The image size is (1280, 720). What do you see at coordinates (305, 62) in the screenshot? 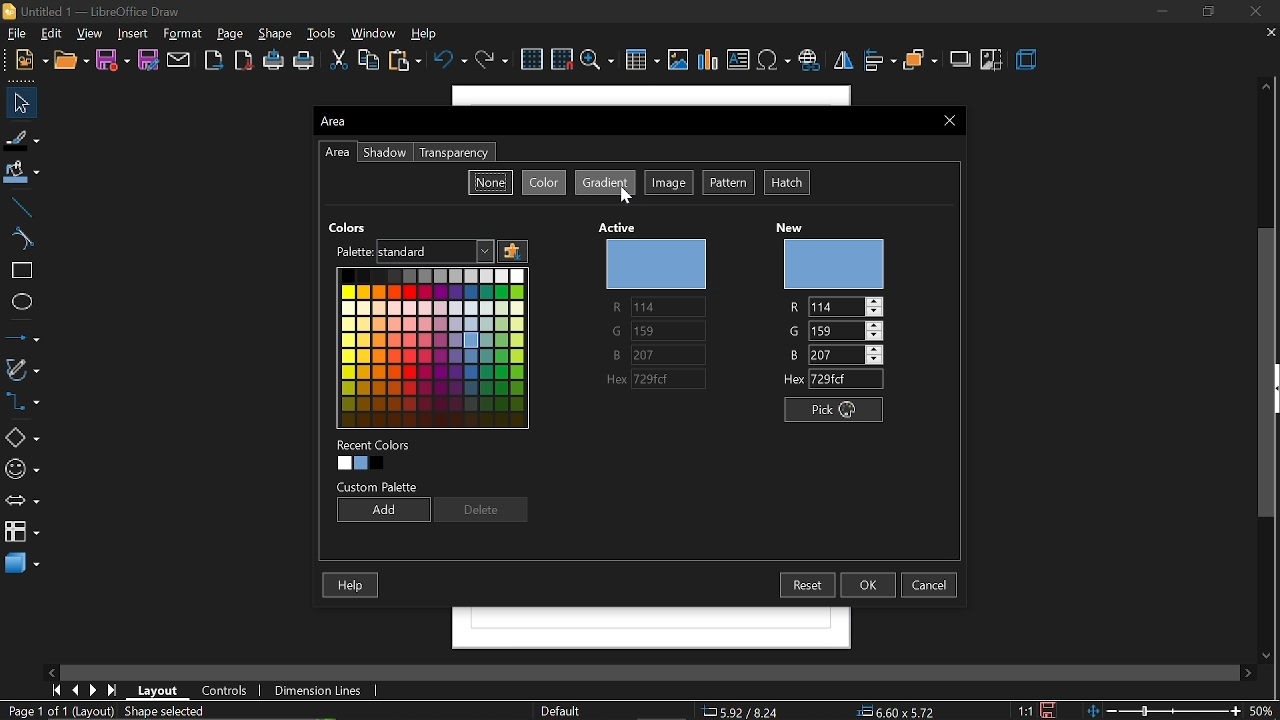
I see `print` at bounding box center [305, 62].